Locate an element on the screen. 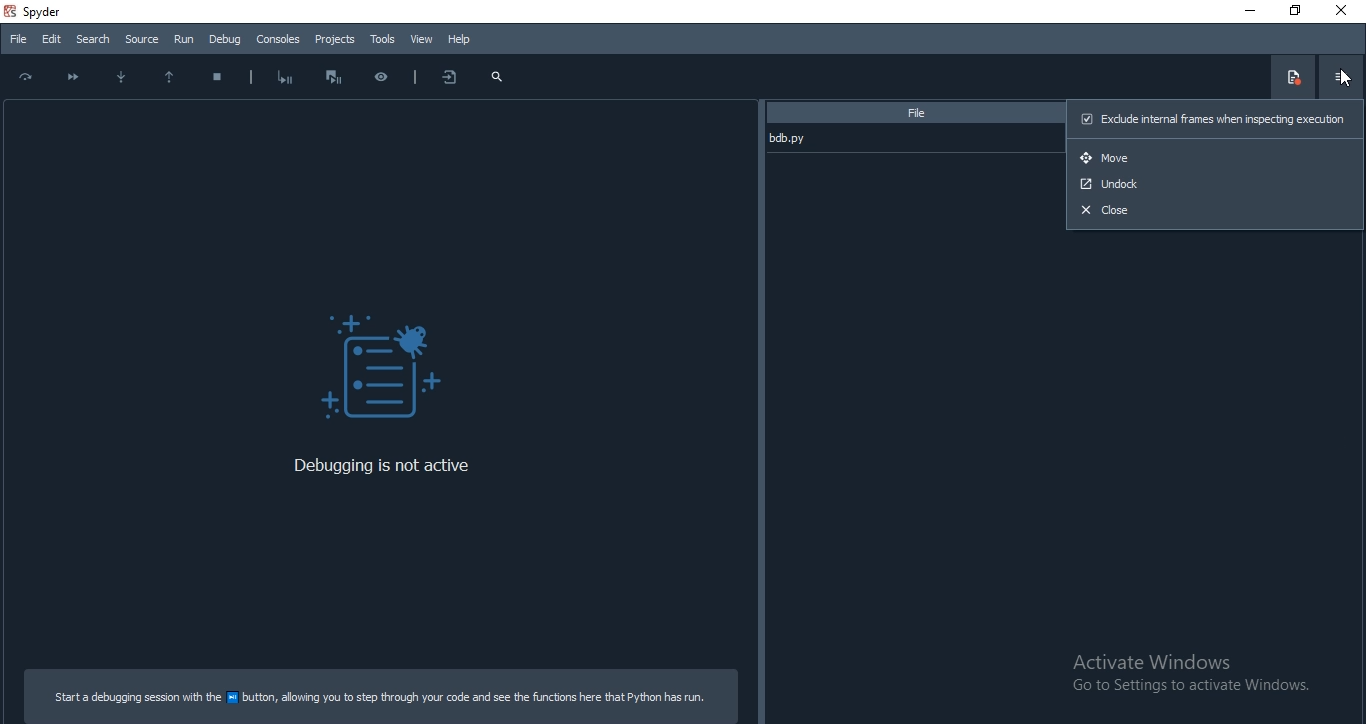  Run is located at coordinates (184, 39).